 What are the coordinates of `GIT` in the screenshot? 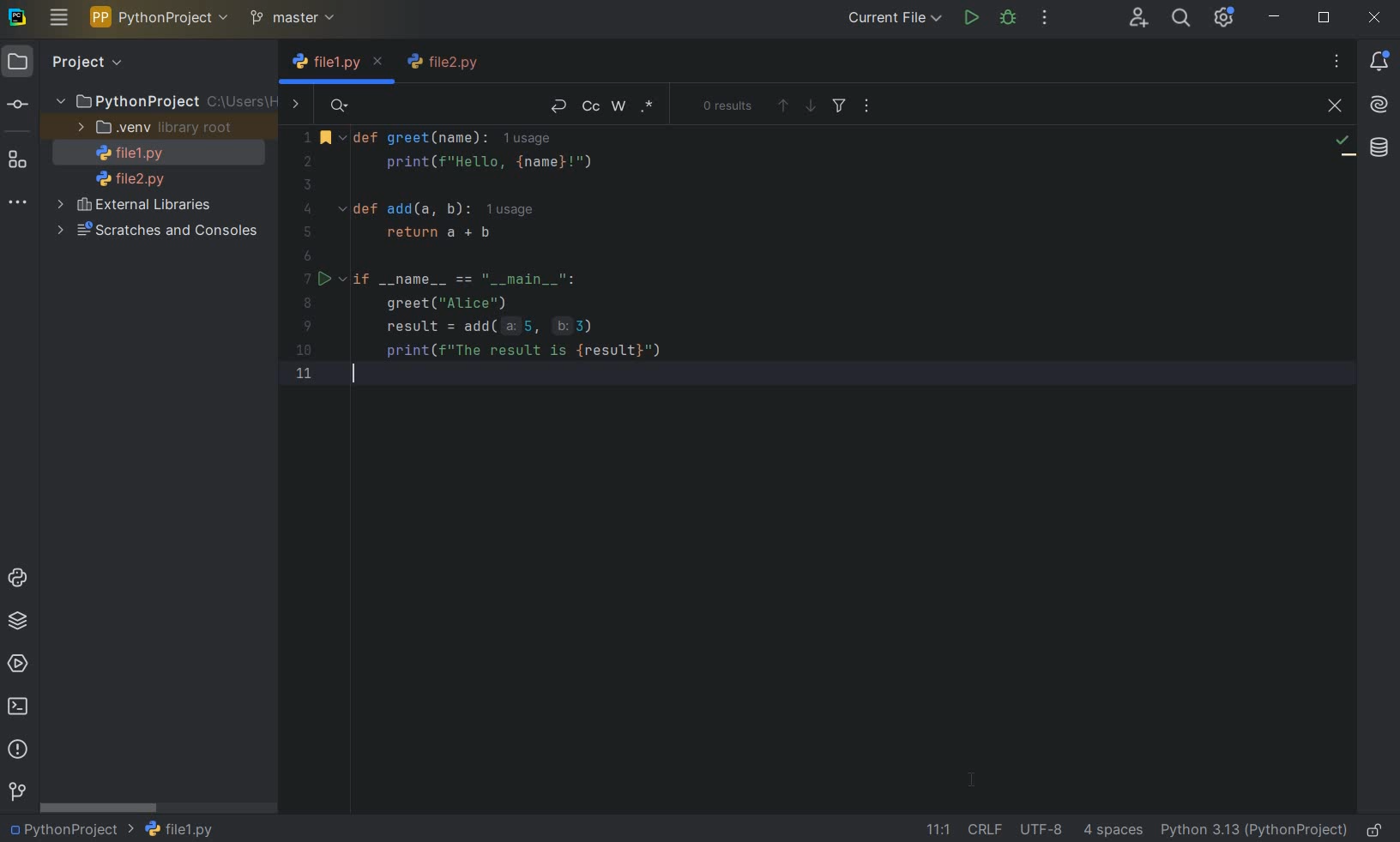 It's located at (17, 791).